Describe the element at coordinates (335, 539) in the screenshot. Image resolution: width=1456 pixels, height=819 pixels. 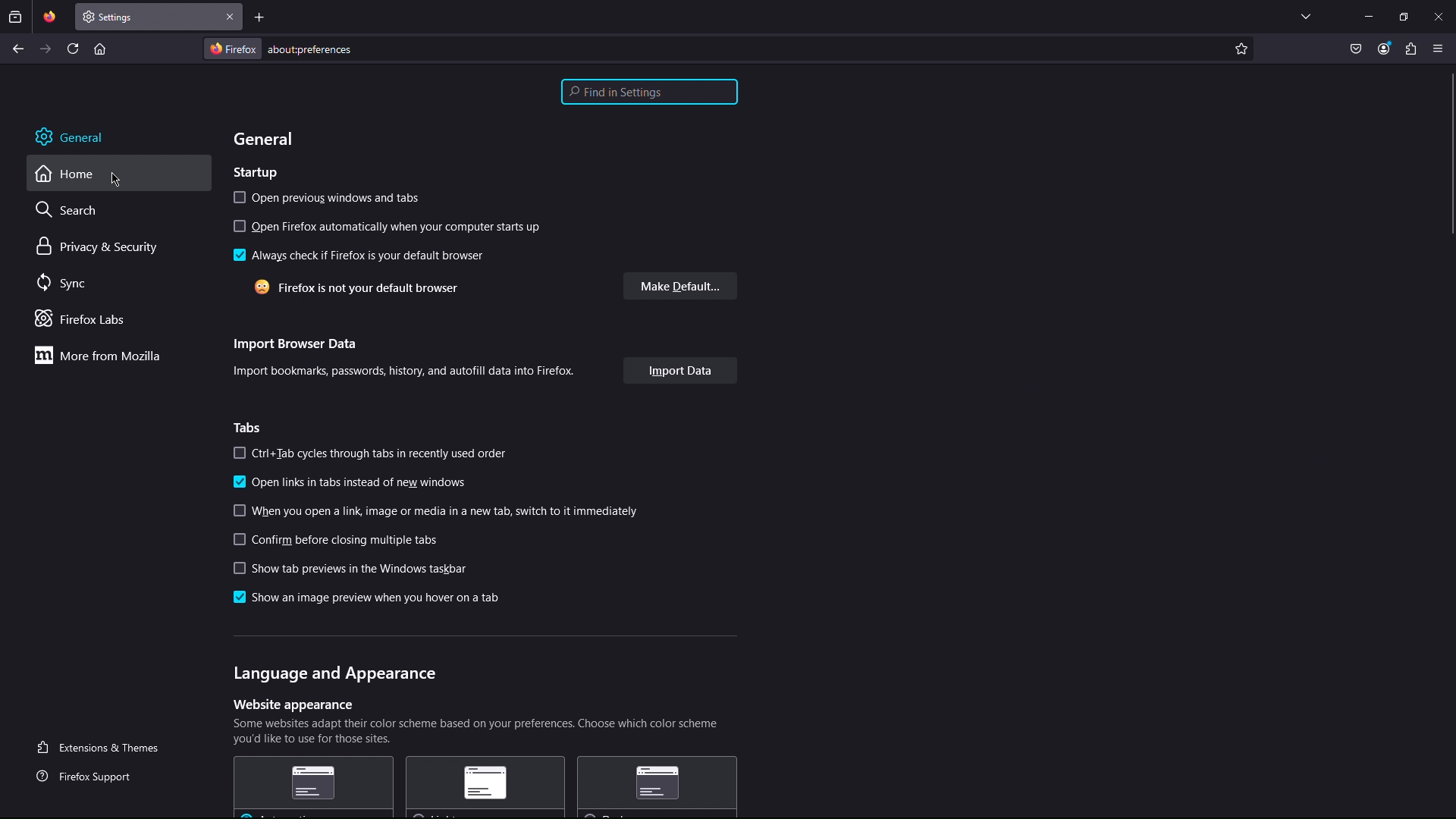
I see `Confirm before closing multiple tabs` at that location.